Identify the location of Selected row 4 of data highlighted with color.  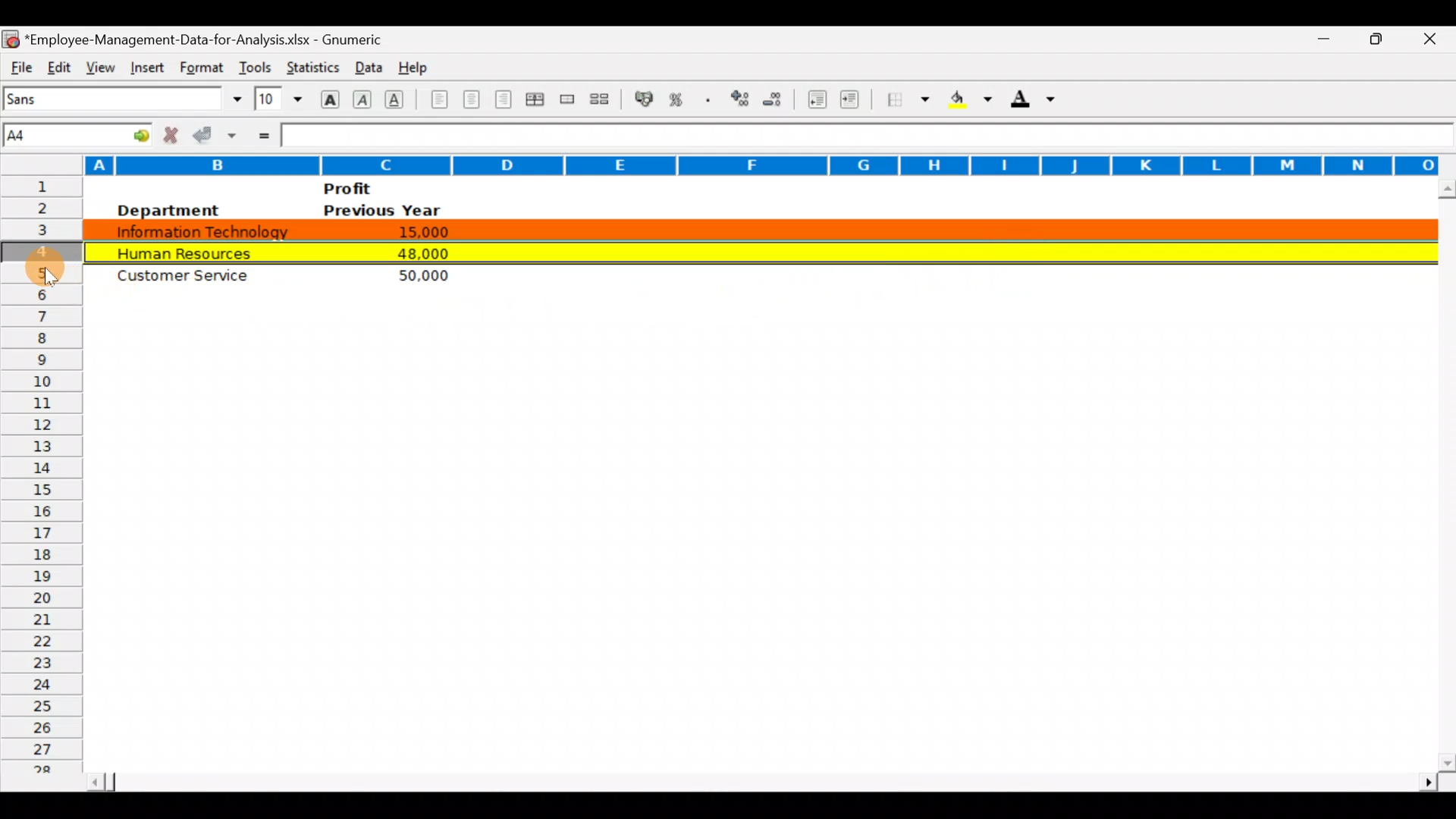
(757, 249).